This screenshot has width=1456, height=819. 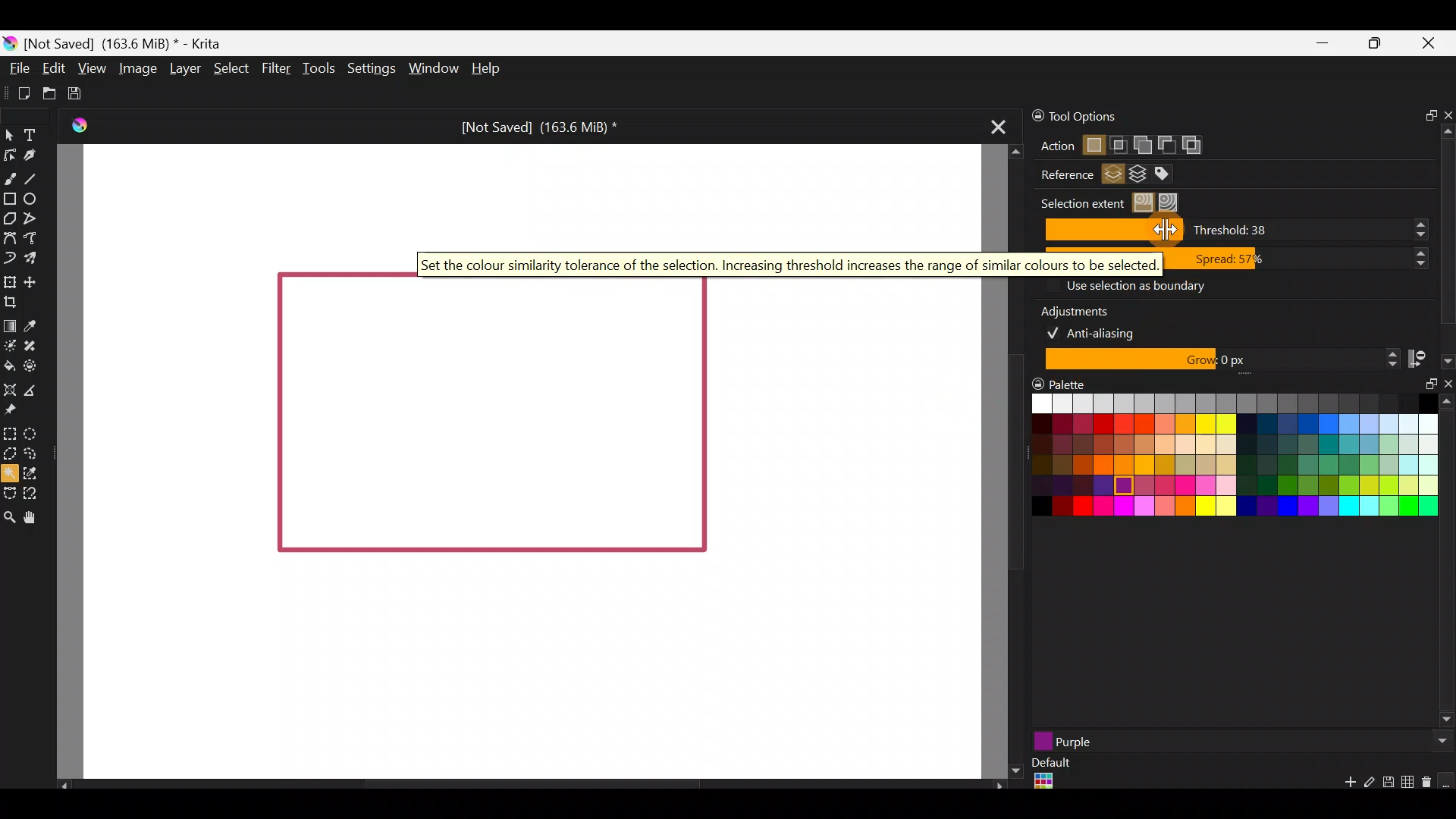 What do you see at coordinates (33, 323) in the screenshot?
I see `Sample a colour from the image/current layer` at bounding box center [33, 323].